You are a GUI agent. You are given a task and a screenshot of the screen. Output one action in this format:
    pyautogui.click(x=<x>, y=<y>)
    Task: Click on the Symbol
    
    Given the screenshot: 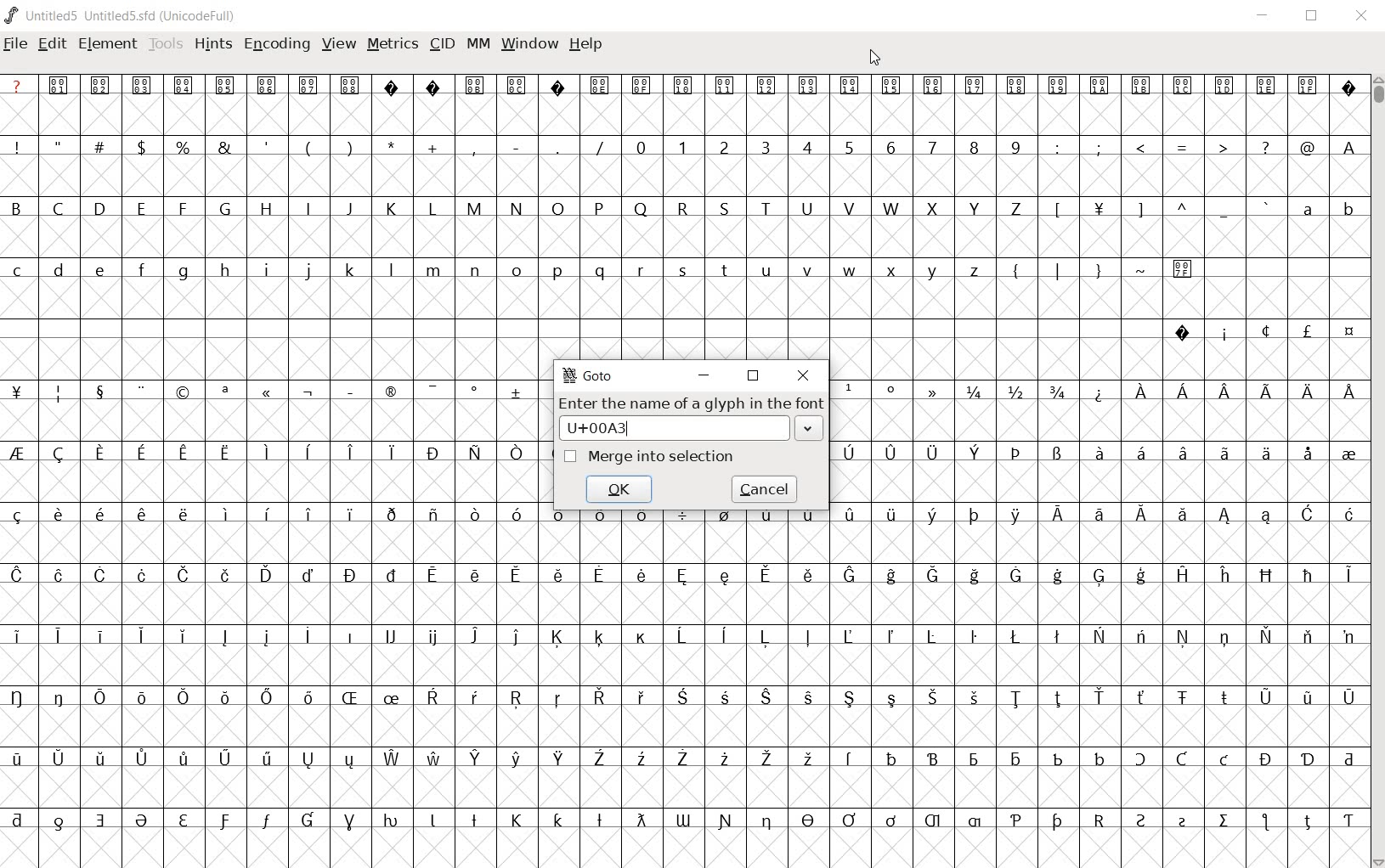 What is the action you would take?
    pyautogui.click(x=1308, y=637)
    